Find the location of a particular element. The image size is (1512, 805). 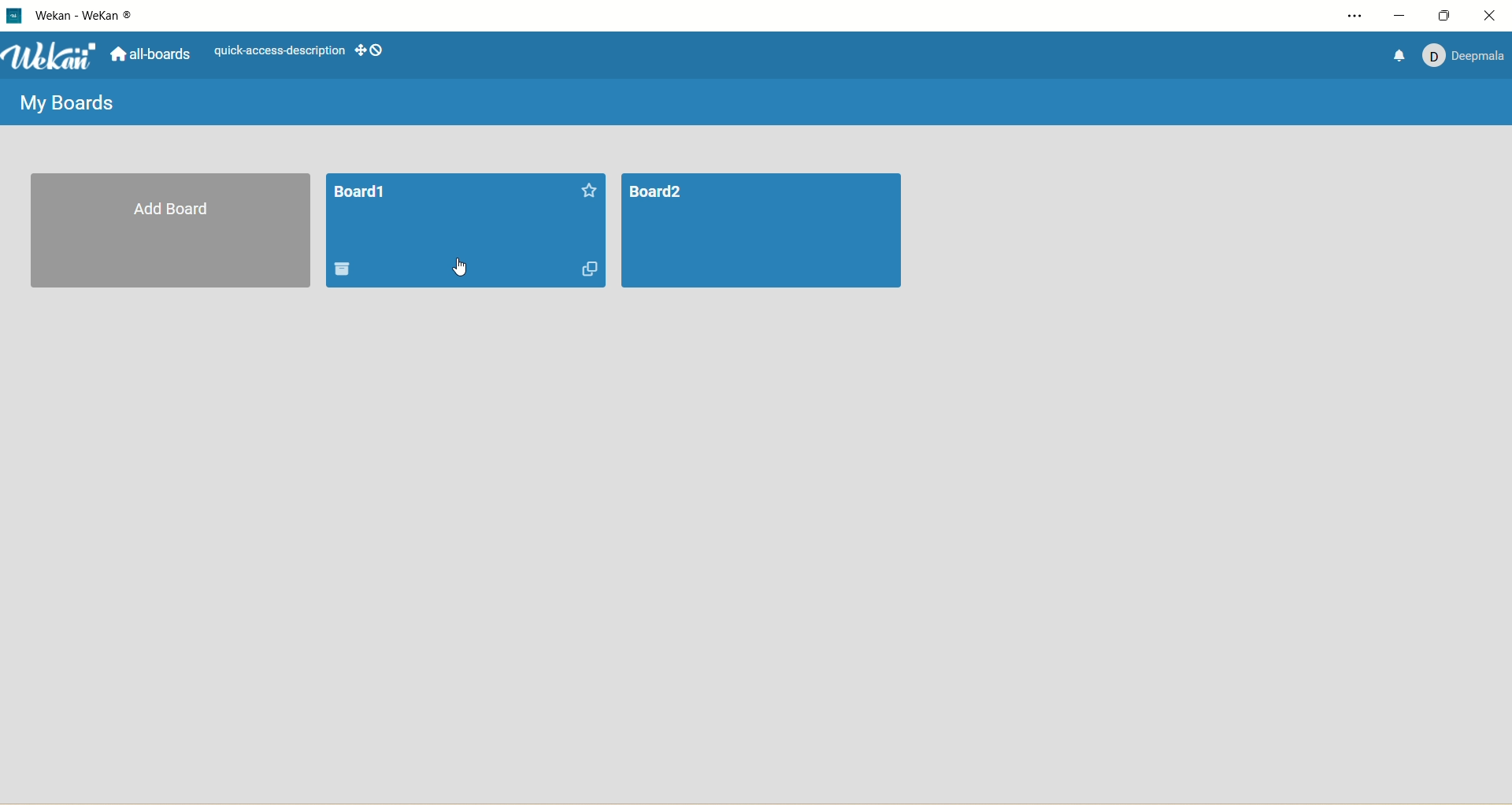

wekan is located at coordinates (51, 58).